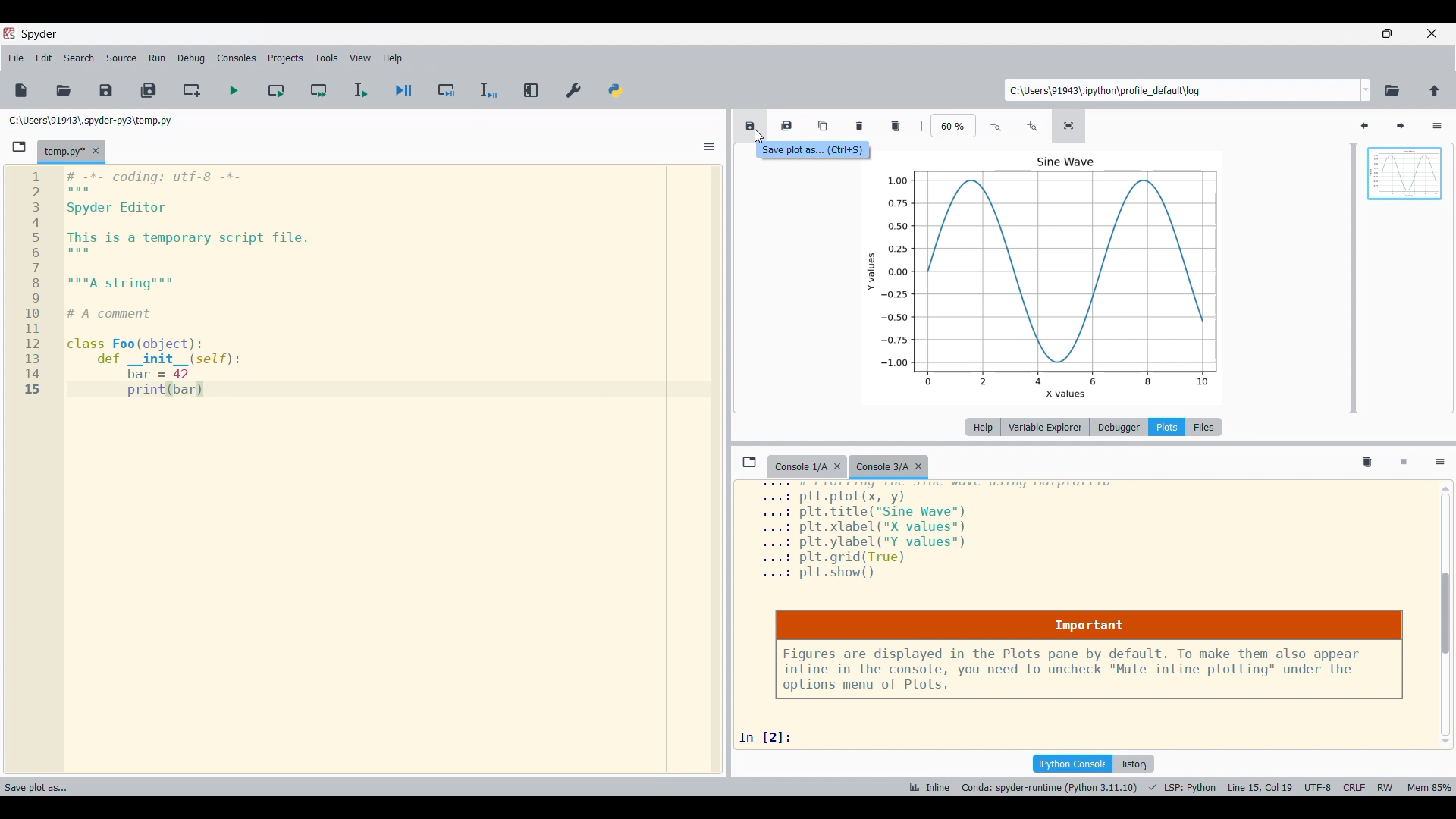 This screenshot has height=819, width=1456. I want to click on Previous plot, so click(1364, 127).